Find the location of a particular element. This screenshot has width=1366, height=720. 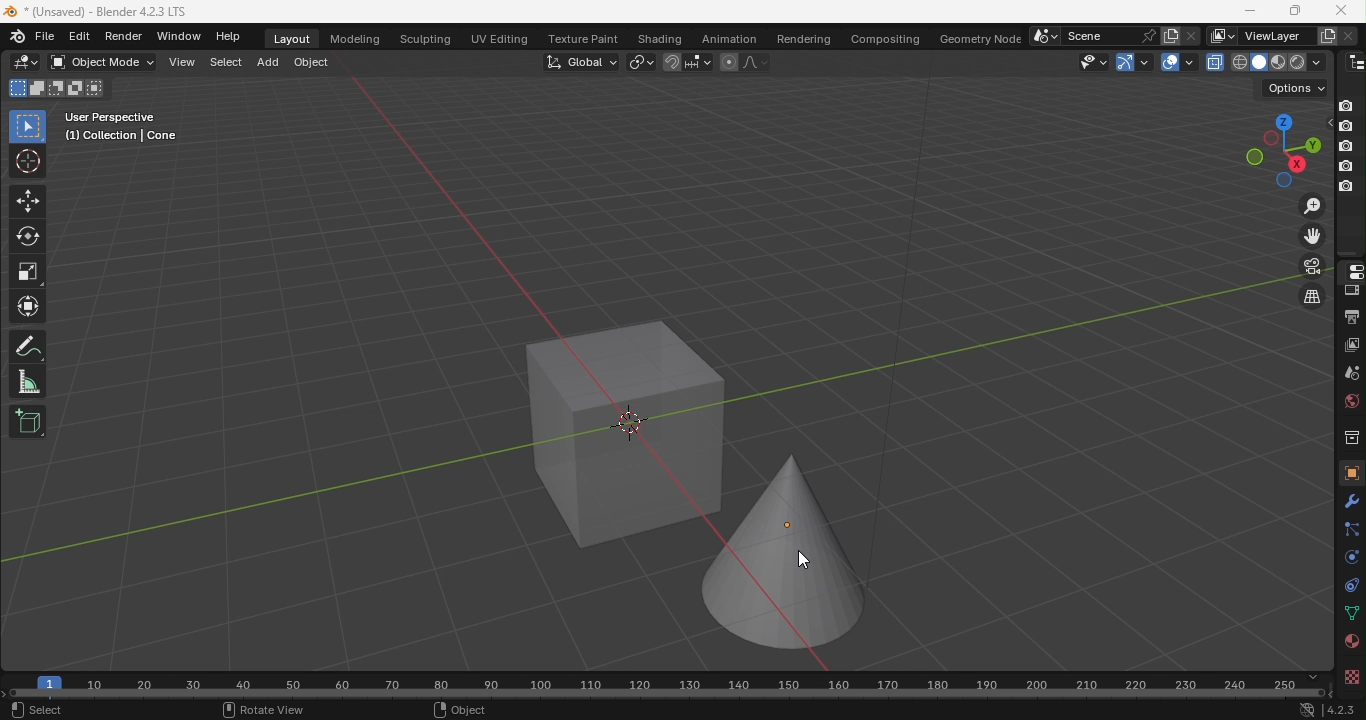

Move is located at coordinates (27, 200).